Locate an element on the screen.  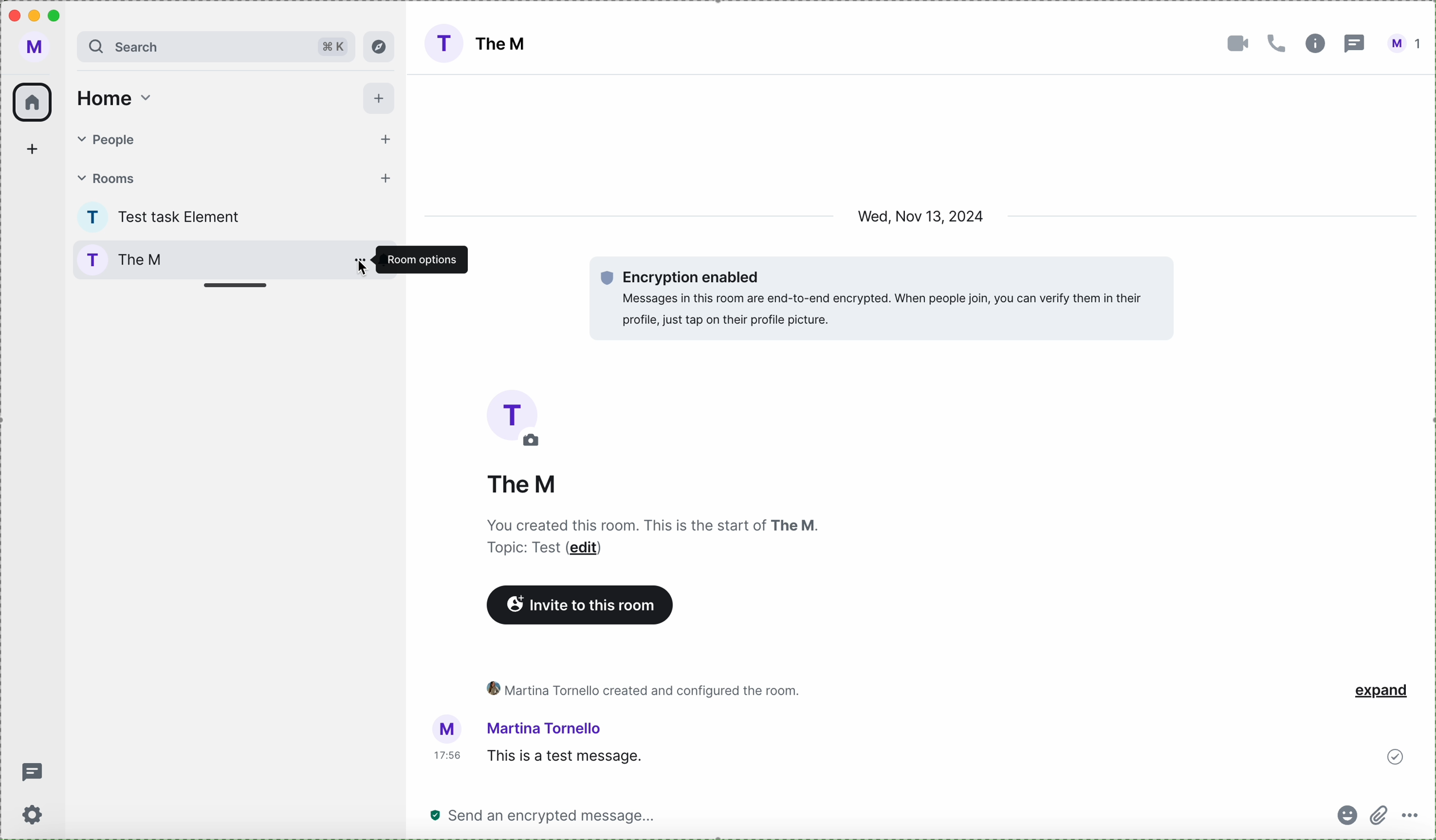
home icon is located at coordinates (32, 103).